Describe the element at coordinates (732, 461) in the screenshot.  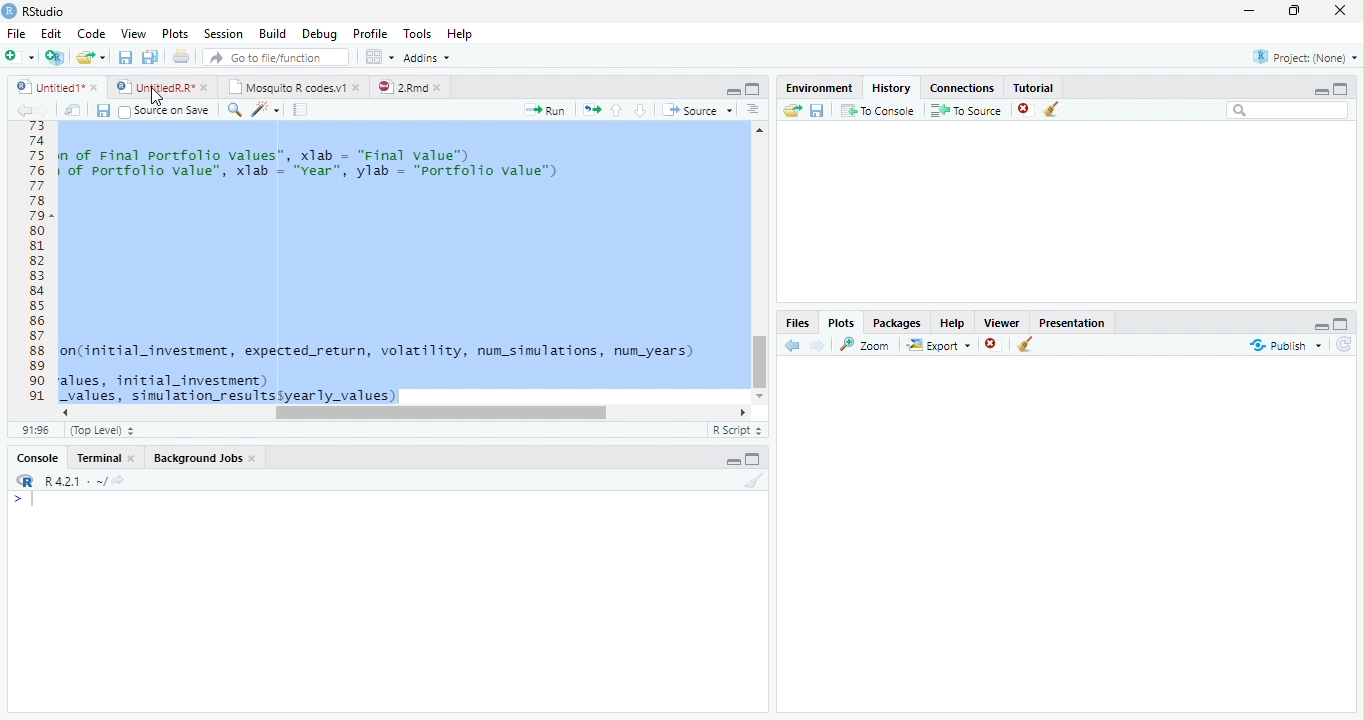
I see `Hide` at that location.